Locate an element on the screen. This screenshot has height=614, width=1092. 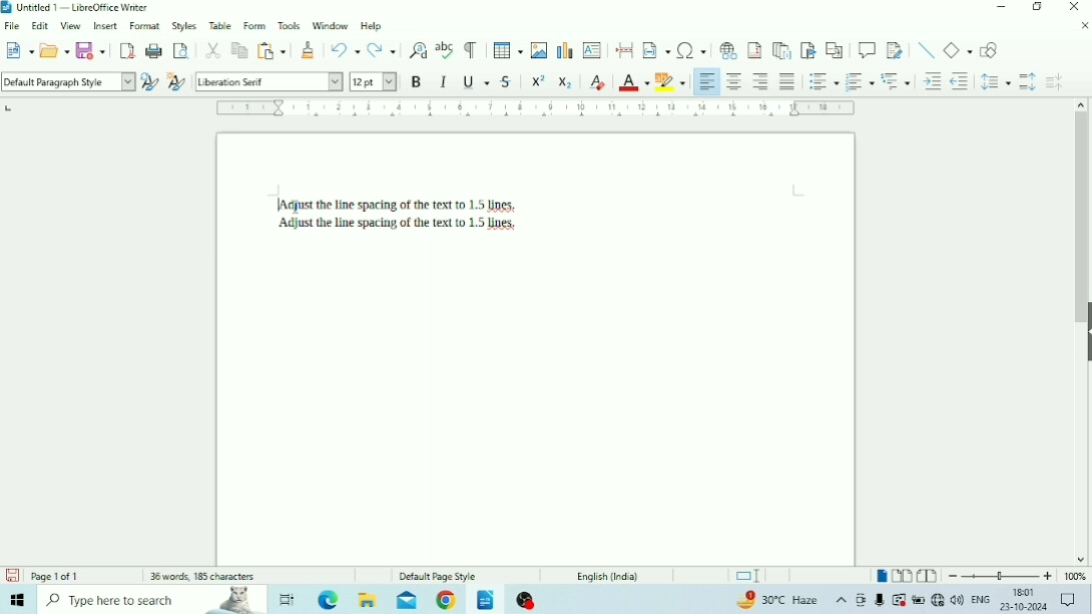
Show hidden icons is located at coordinates (842, 600).